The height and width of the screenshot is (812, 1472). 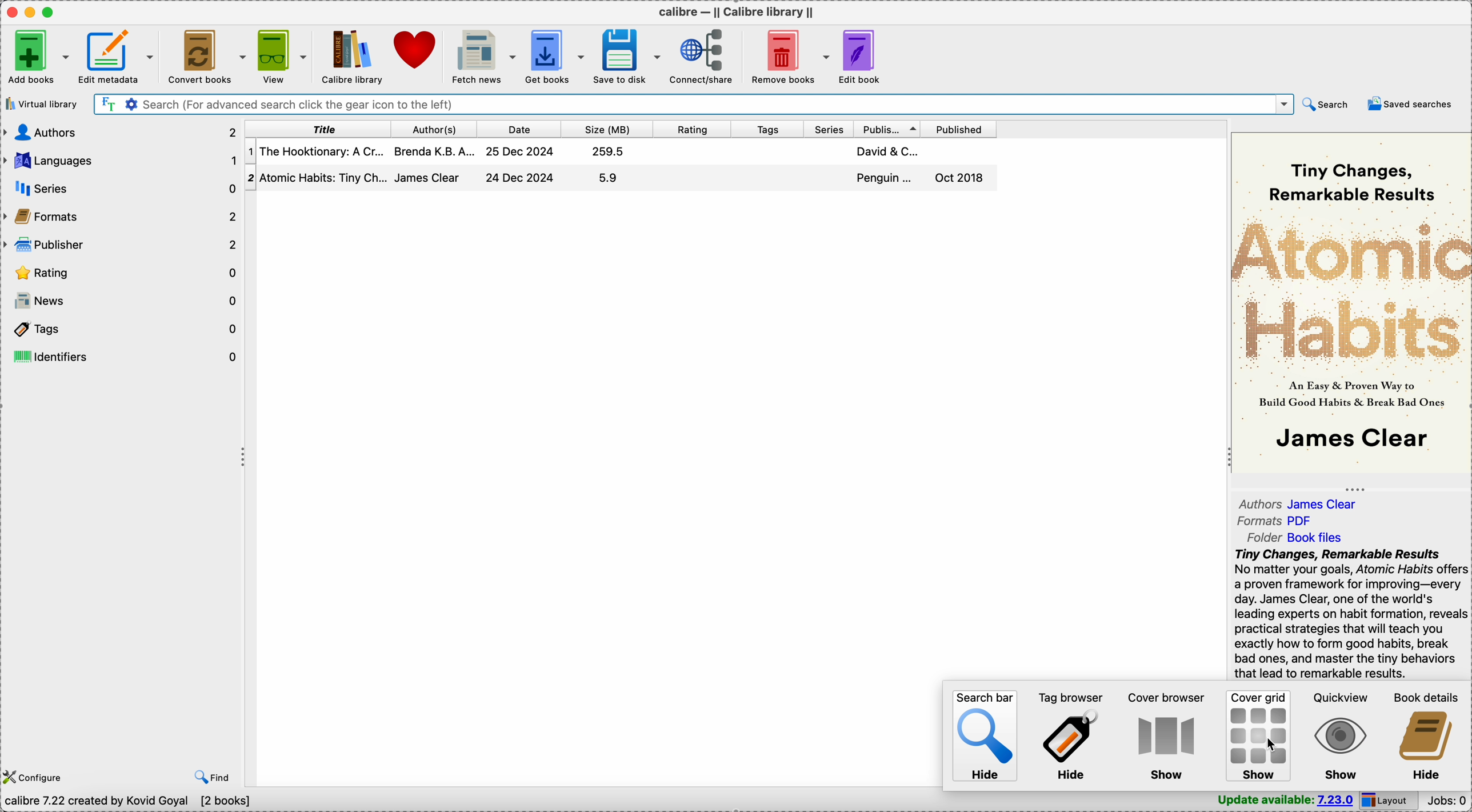 What do you see at coordinates (483, 56) in the screenshot?
I see `fetch news` at bounding box center [483, 56].